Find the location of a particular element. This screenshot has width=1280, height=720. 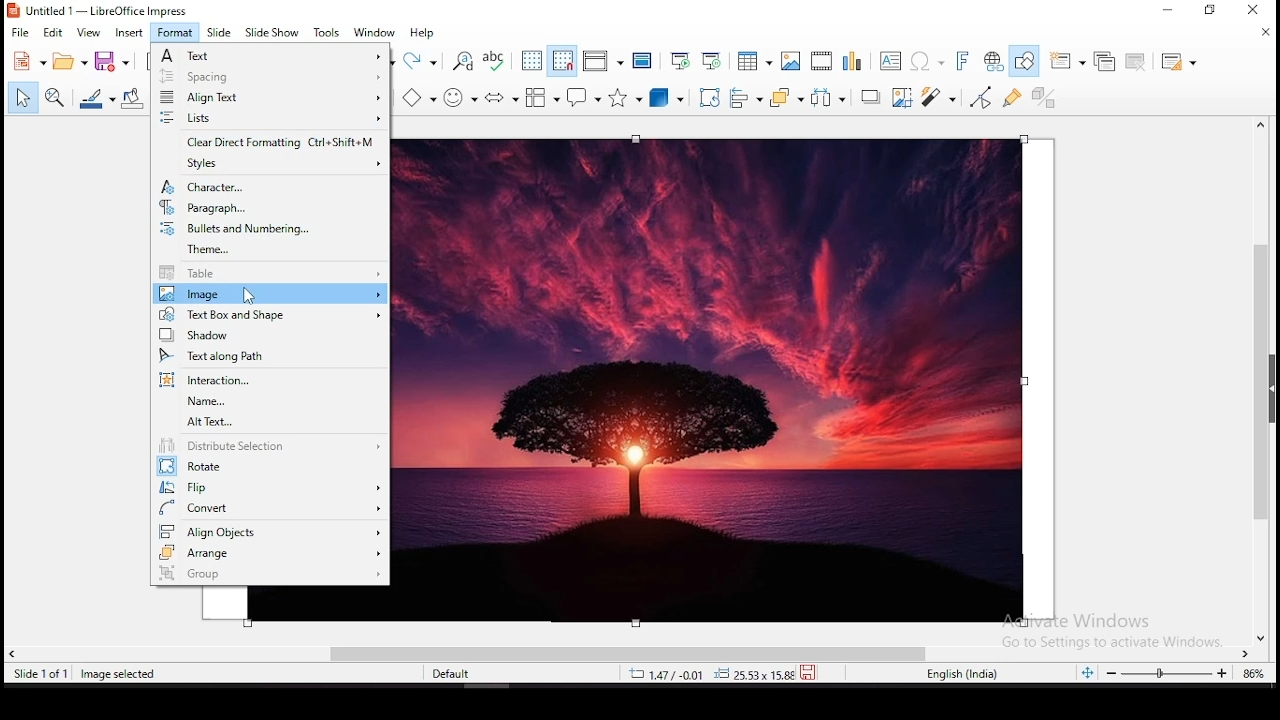

tools is located at coordinates (326, 32).